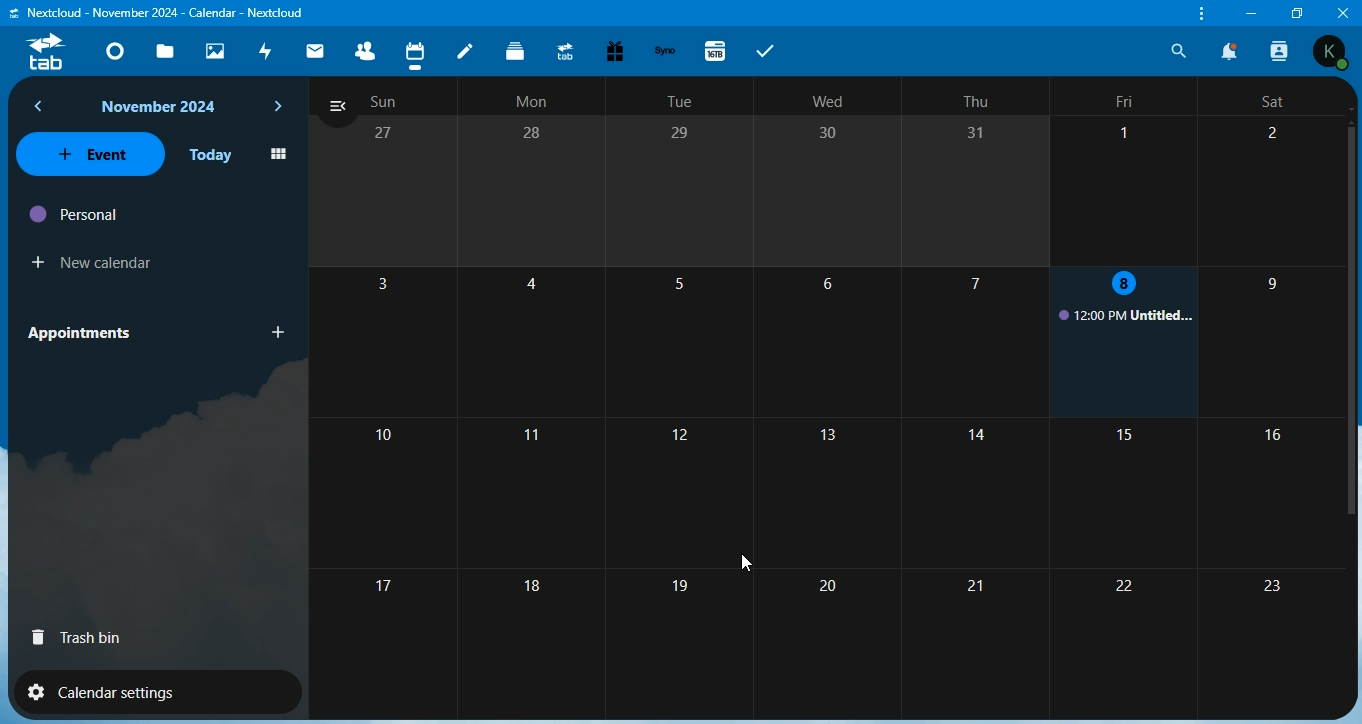 This screenshot has height=724, width=1362. Describe the element at coordinates (1298, 12) in the screenshot. I see `restore window` at that location.